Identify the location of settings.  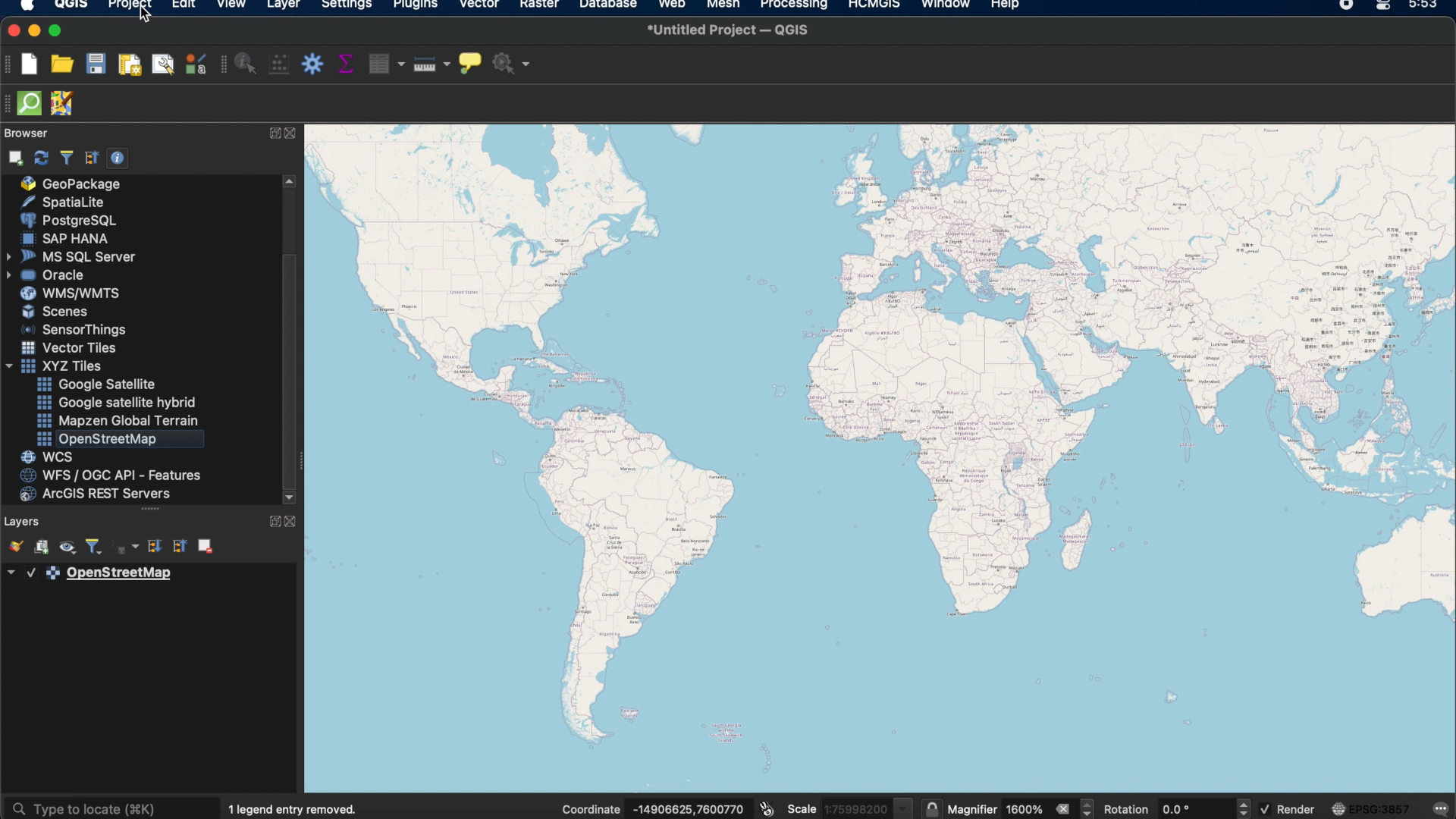
(347, 6).